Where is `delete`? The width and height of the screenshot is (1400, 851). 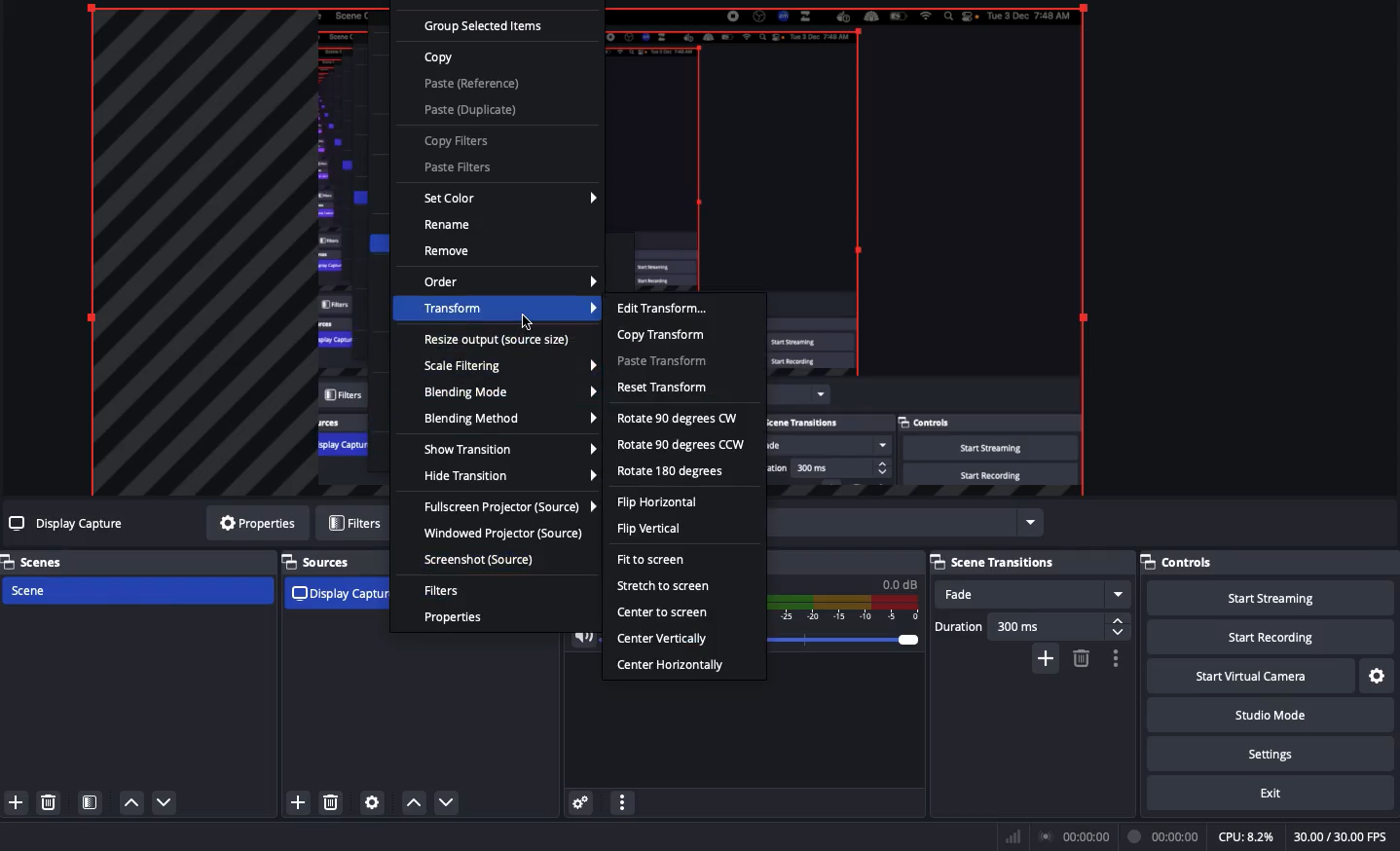 delete is located at coordinates (1084, 662).